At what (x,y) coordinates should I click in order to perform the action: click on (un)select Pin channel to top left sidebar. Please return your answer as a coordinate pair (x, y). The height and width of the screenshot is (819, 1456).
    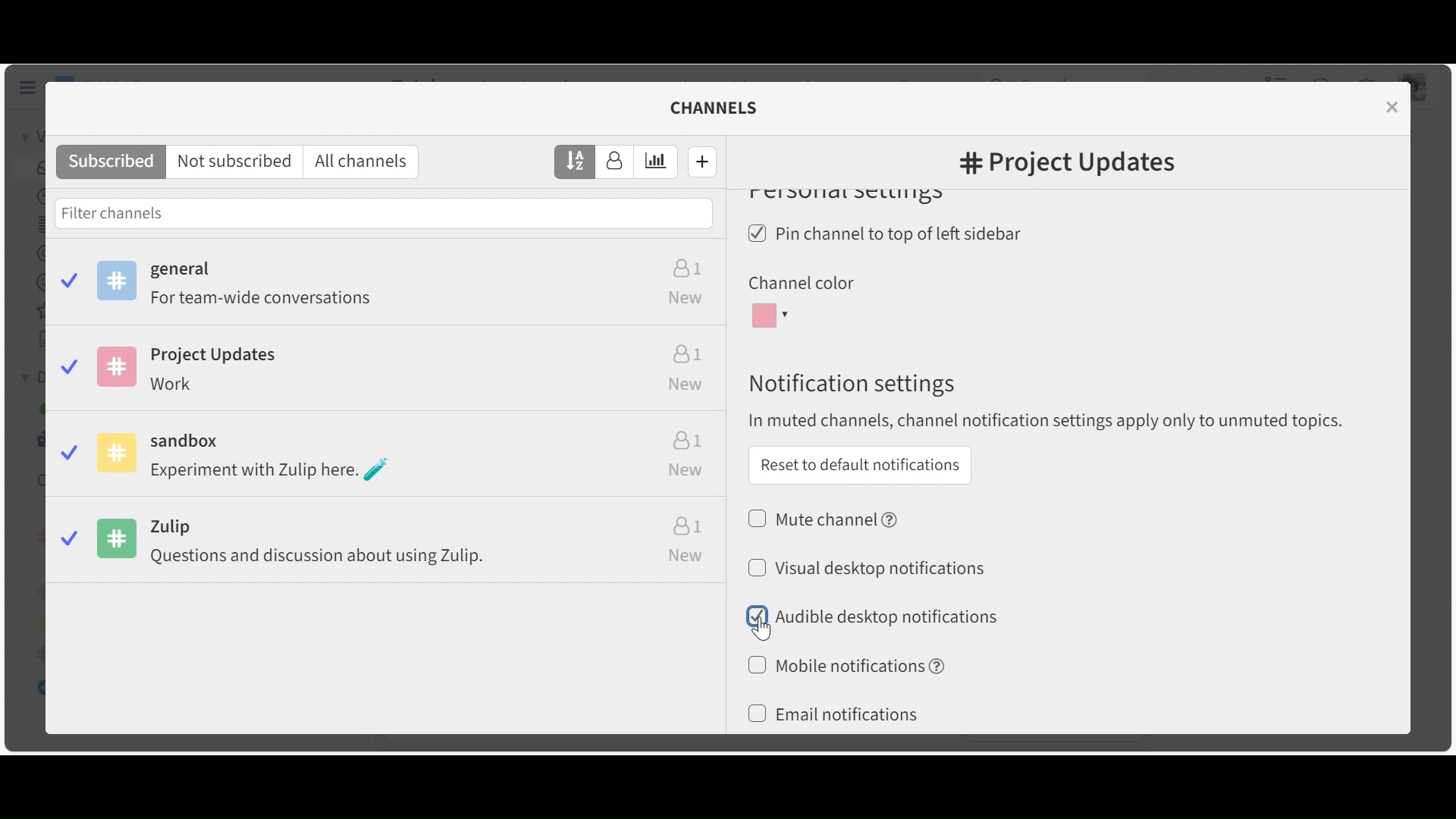
    Looking at the image, I should click on (890, 235).